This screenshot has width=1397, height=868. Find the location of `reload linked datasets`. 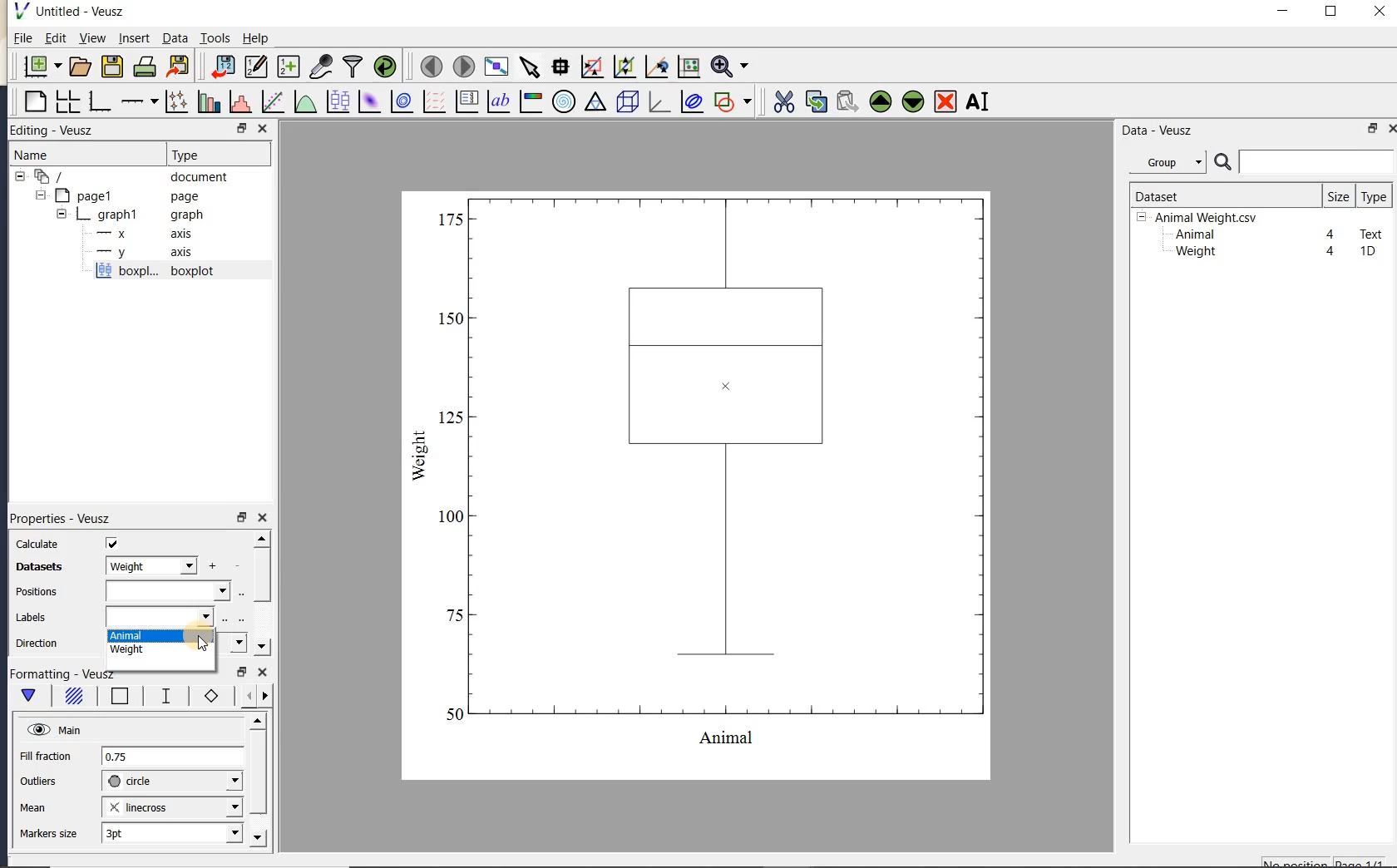

reload linked datasets is located at coordinates (385, 65).